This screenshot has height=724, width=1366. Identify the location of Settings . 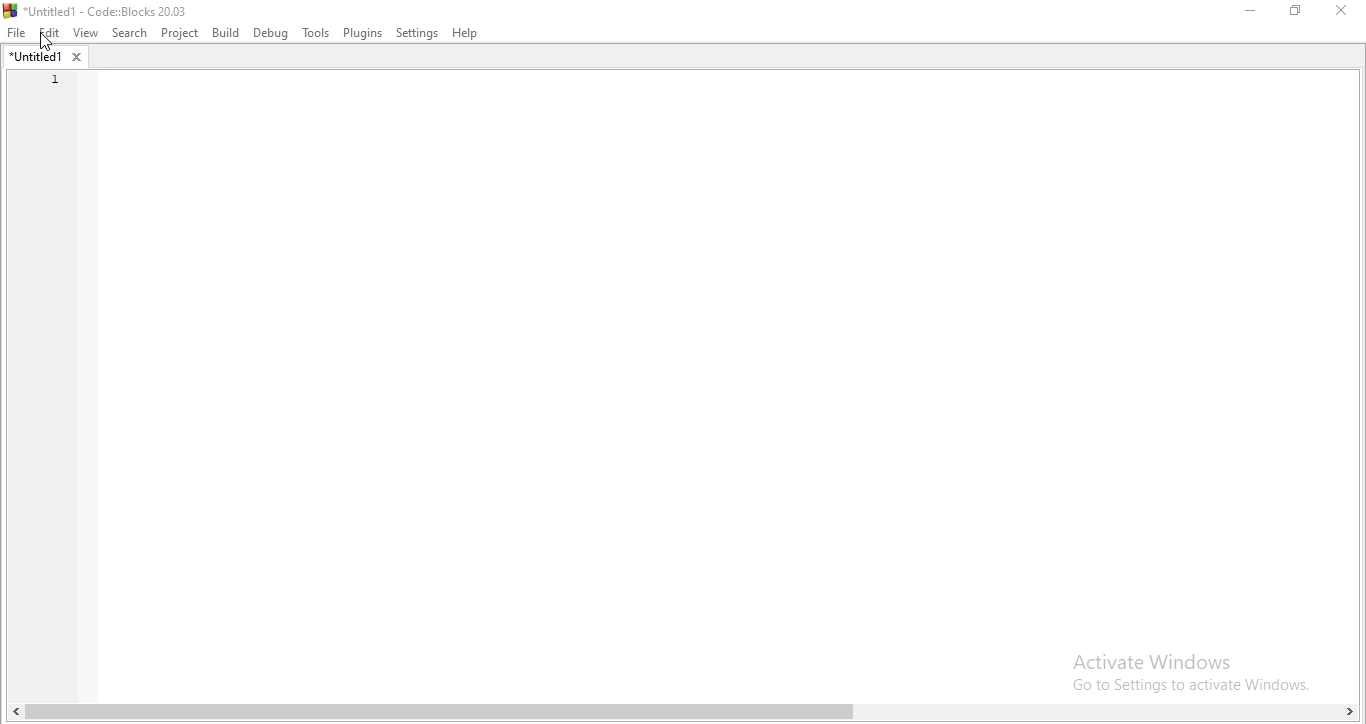
(417, 34).